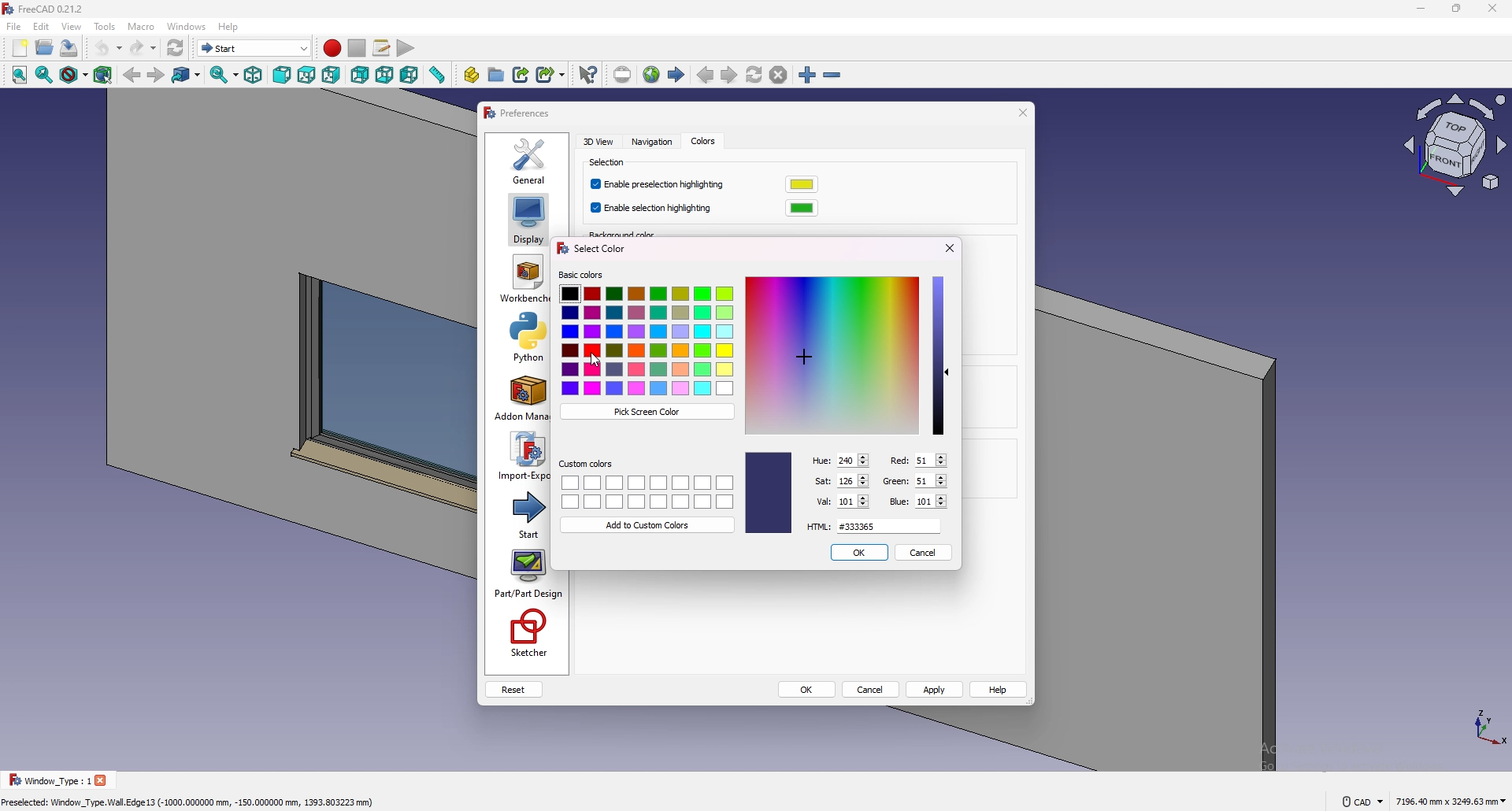 The height and width of the screenshot is (811, 1512). I want to click on set url, so click(622, 75).